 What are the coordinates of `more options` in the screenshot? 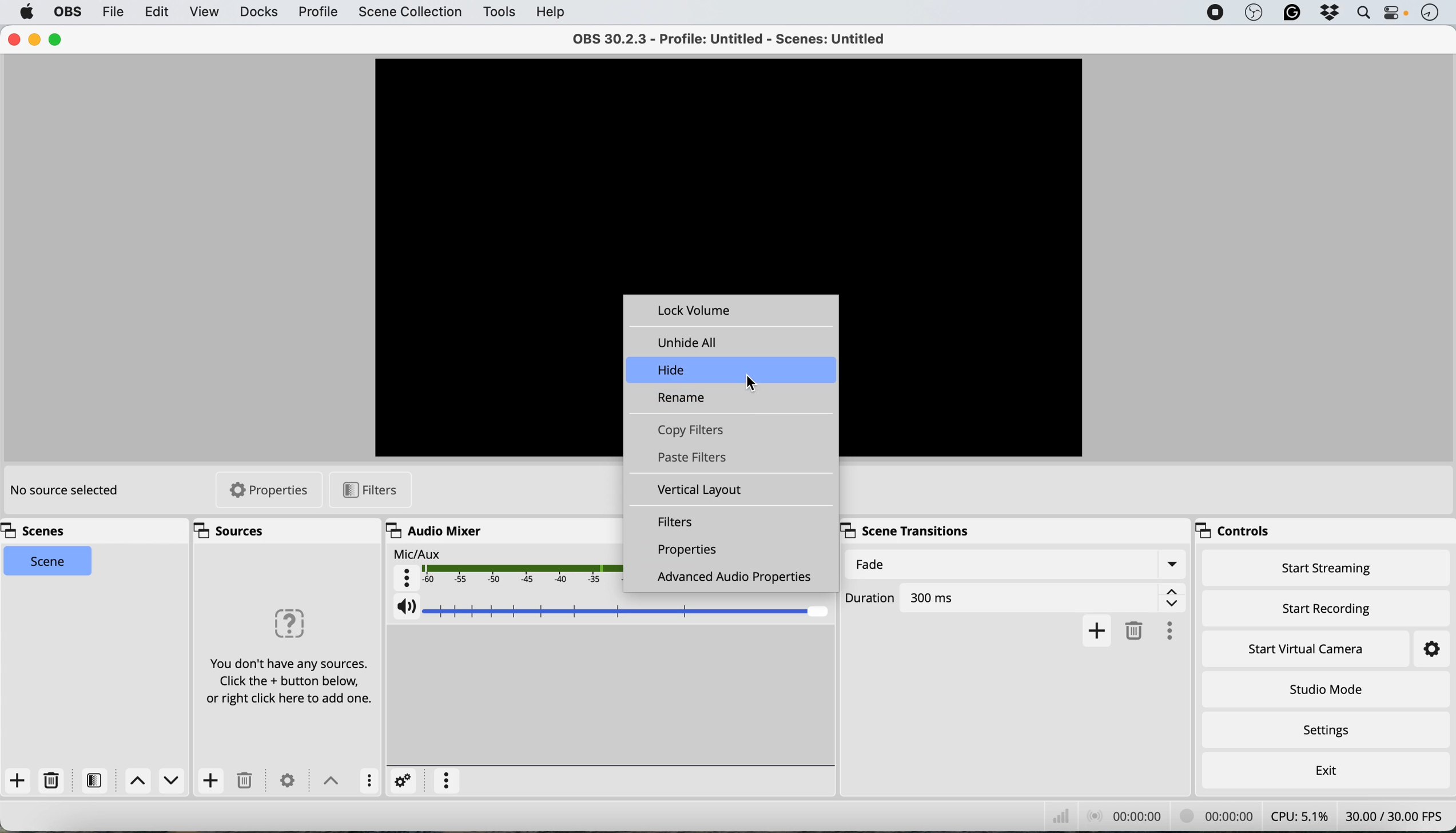 It's located at (447, 778).